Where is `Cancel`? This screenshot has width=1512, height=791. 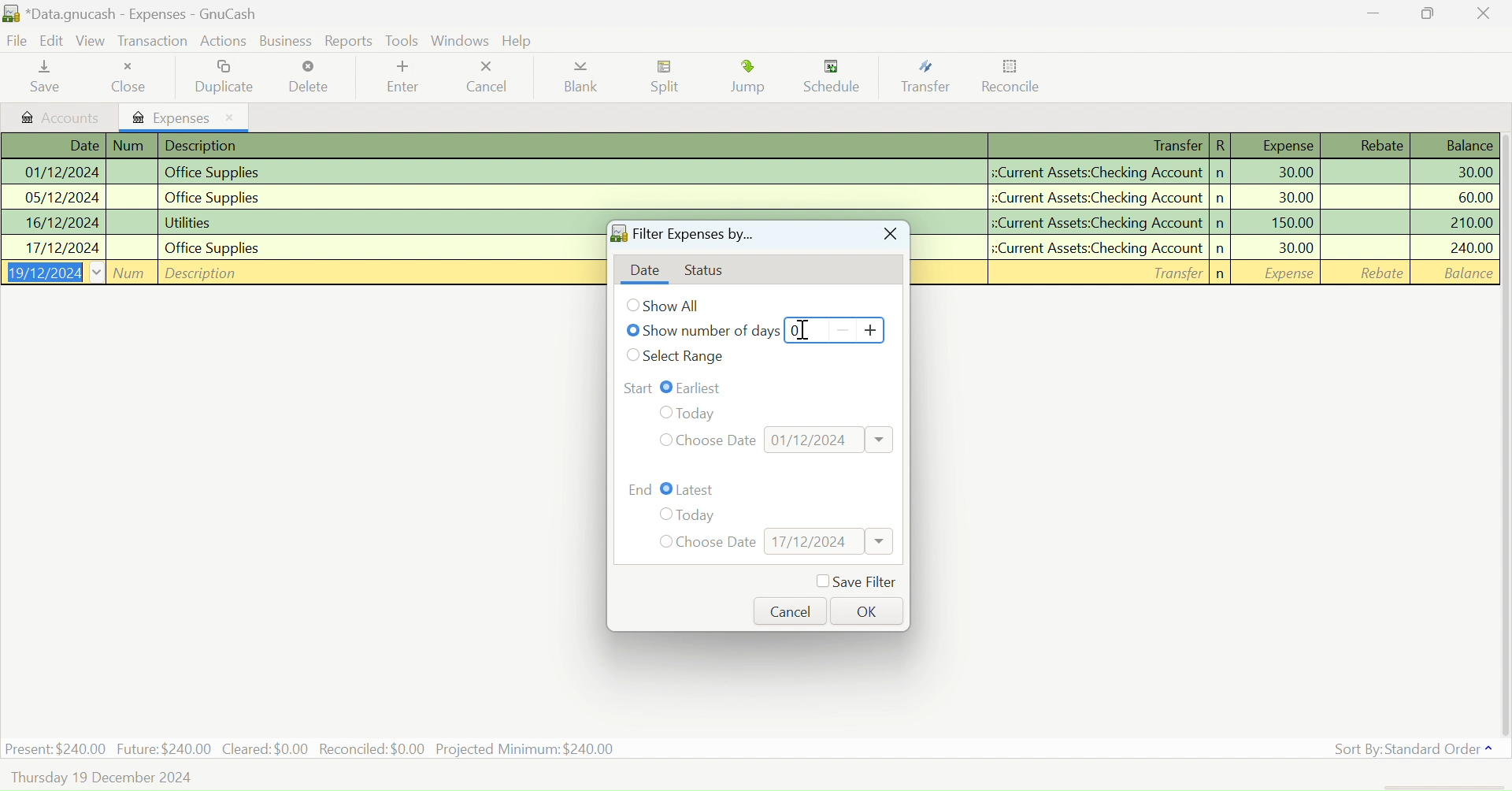 Cancel is located at coordinates (486, 77).